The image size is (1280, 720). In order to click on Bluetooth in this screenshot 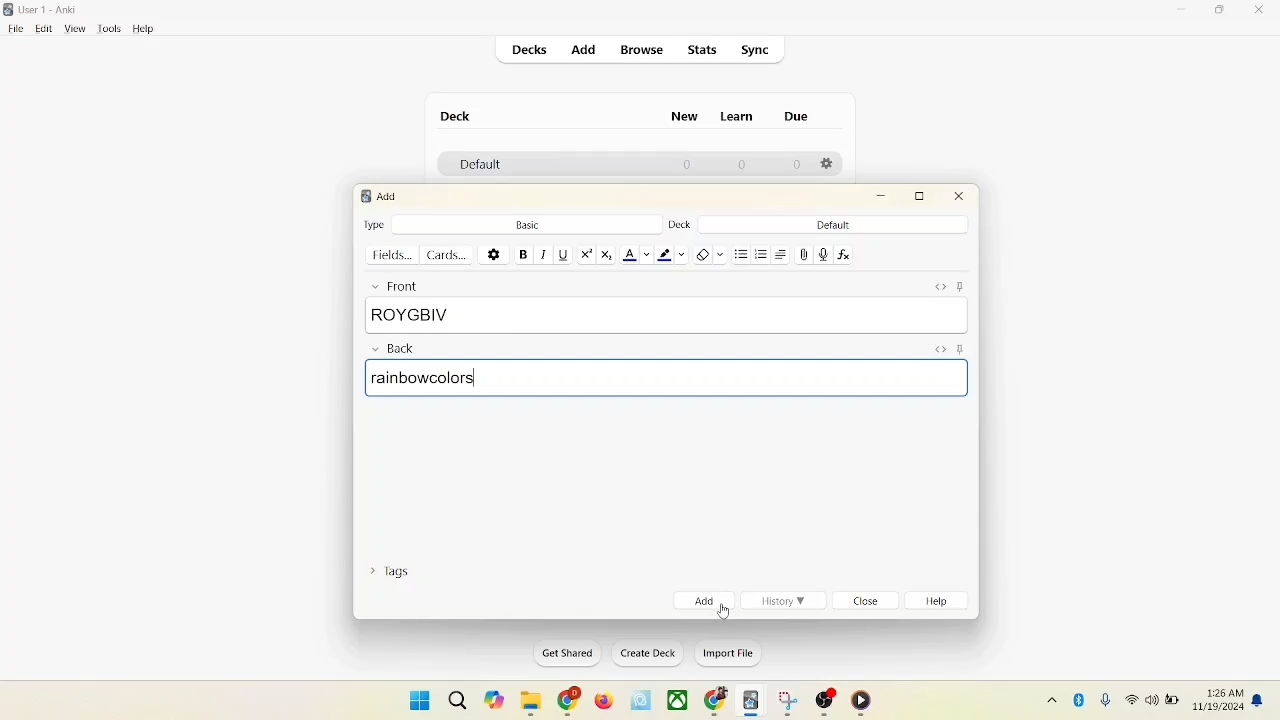, I will do `click(1080, 697)`.